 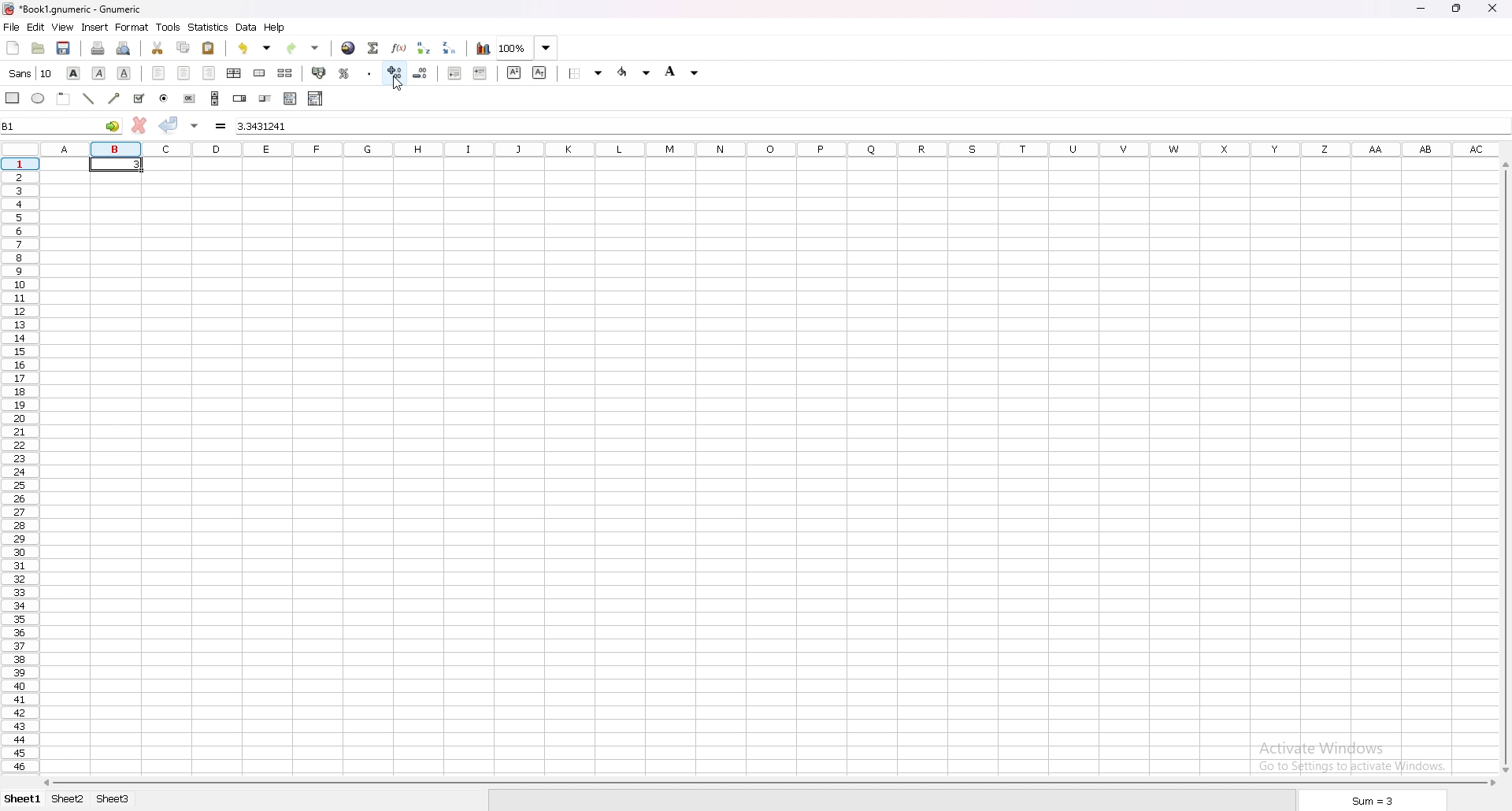 What do you see at coordinates (586, 74) in the screenshot?
I see `border` at bounding box center [586, 74].